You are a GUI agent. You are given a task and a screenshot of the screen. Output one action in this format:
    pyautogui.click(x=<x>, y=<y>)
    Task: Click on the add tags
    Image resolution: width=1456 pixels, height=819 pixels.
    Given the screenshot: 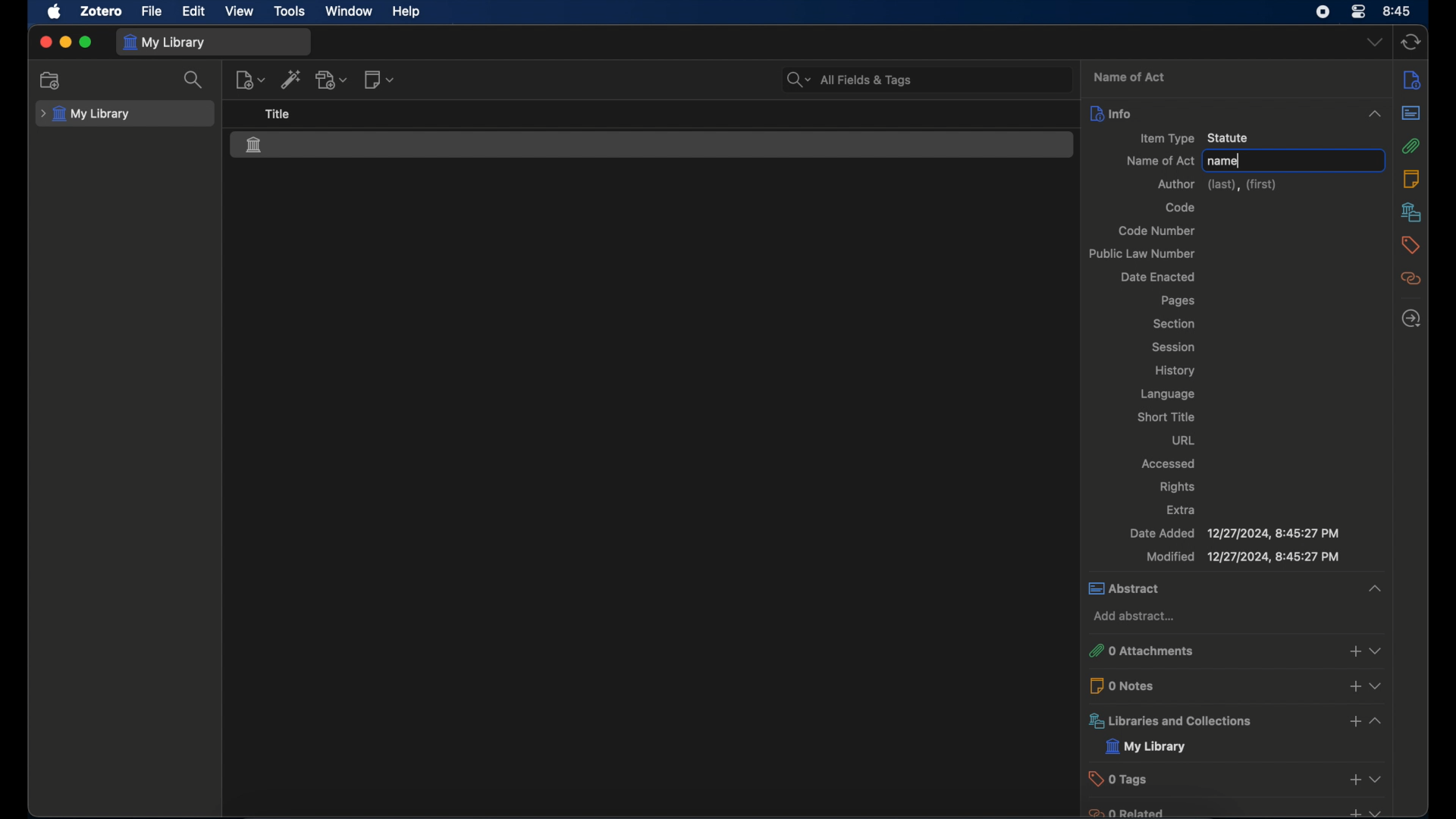 What is the action you would take?
    pyautogui.click(x=1354, y=780)
    